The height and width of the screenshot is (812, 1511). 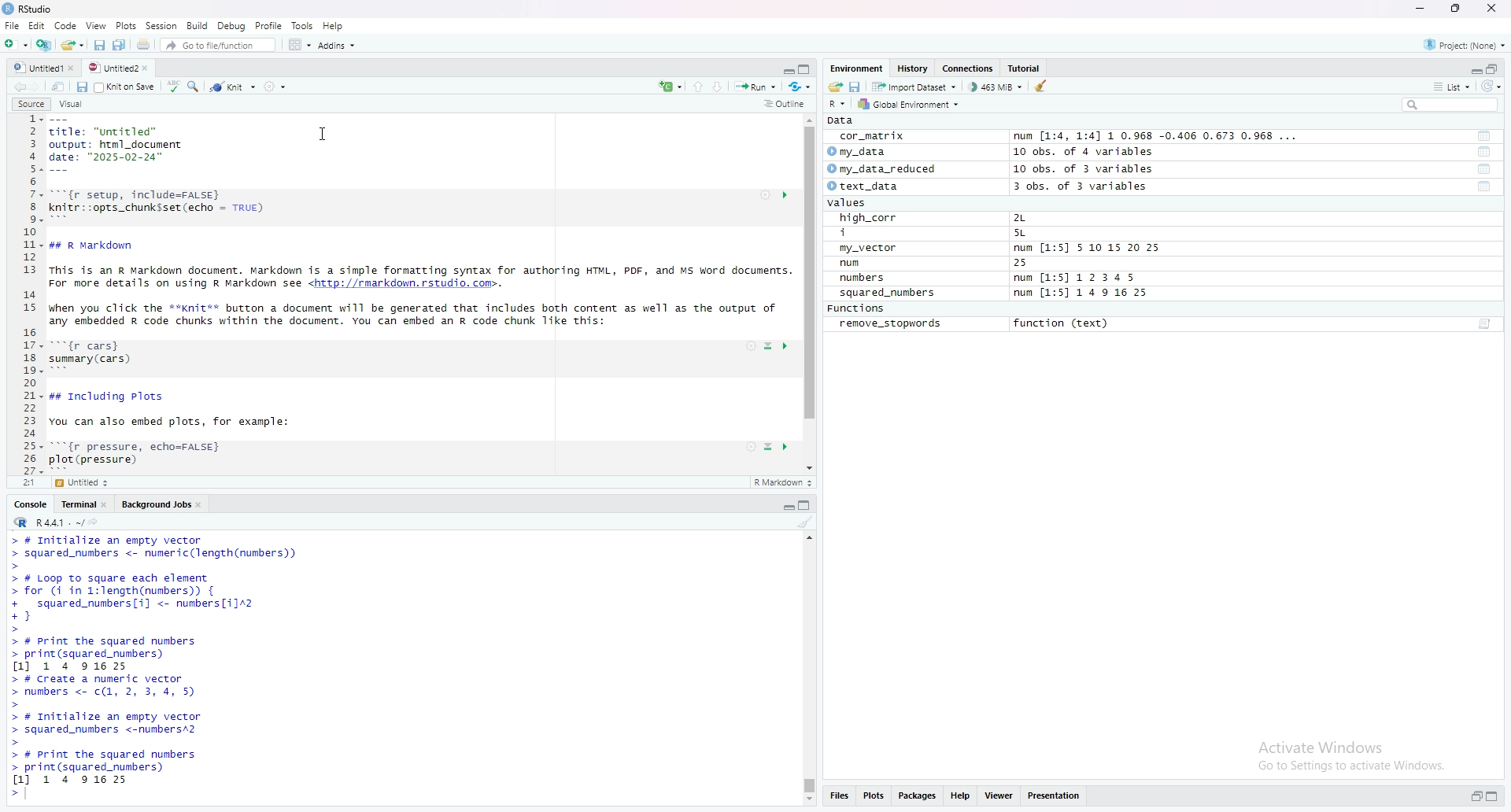 I want to click on Profile, so click(x=268, y=25).